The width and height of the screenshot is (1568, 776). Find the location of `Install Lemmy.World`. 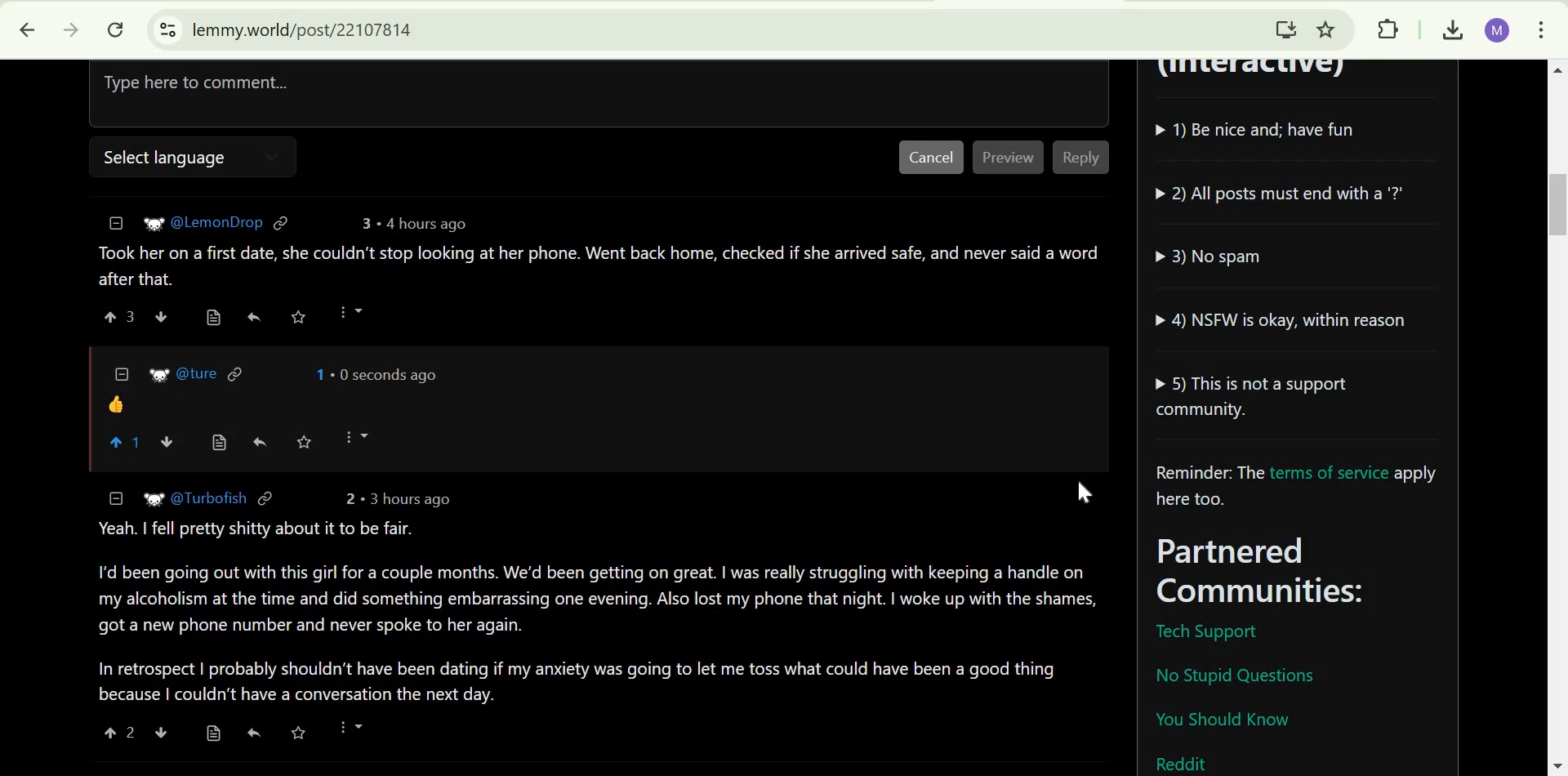

Install Lemmy.World is located at coordinates (1282, 27).